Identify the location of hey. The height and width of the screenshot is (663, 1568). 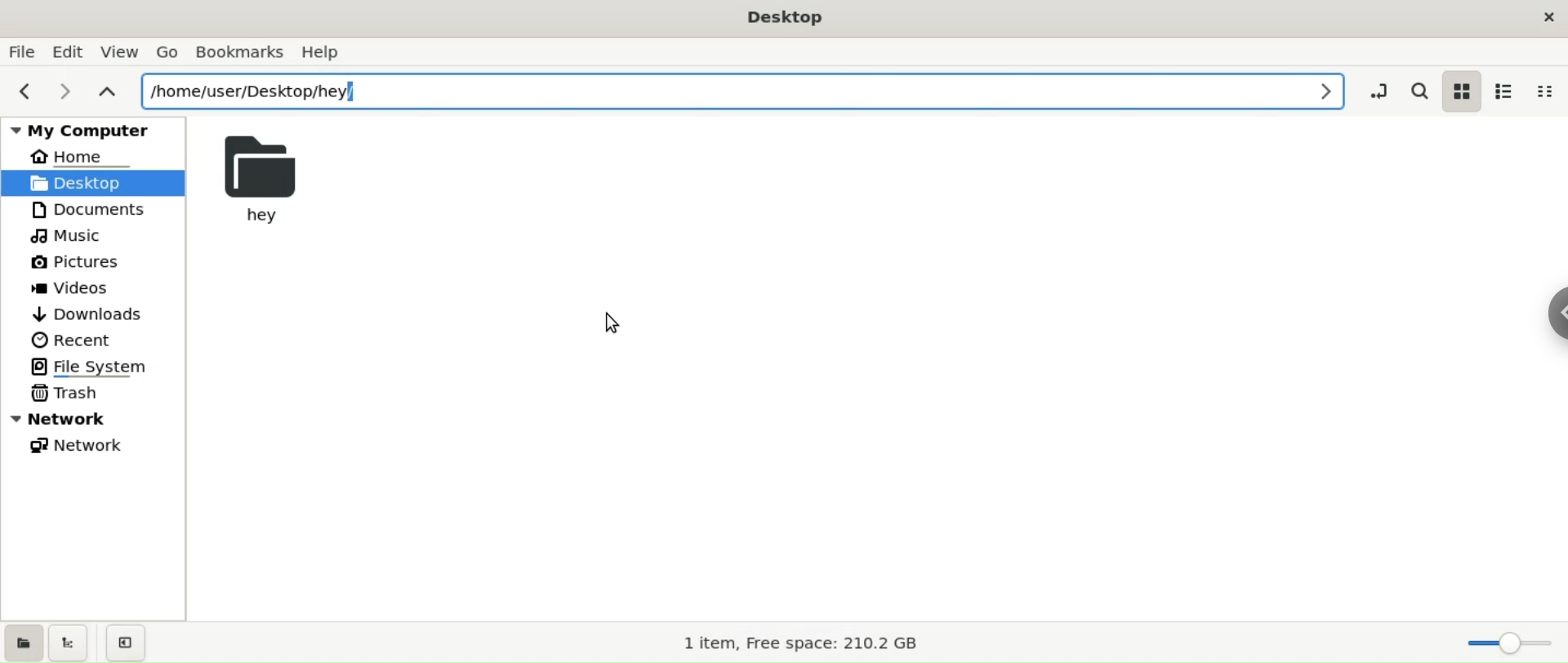
(277, 177).